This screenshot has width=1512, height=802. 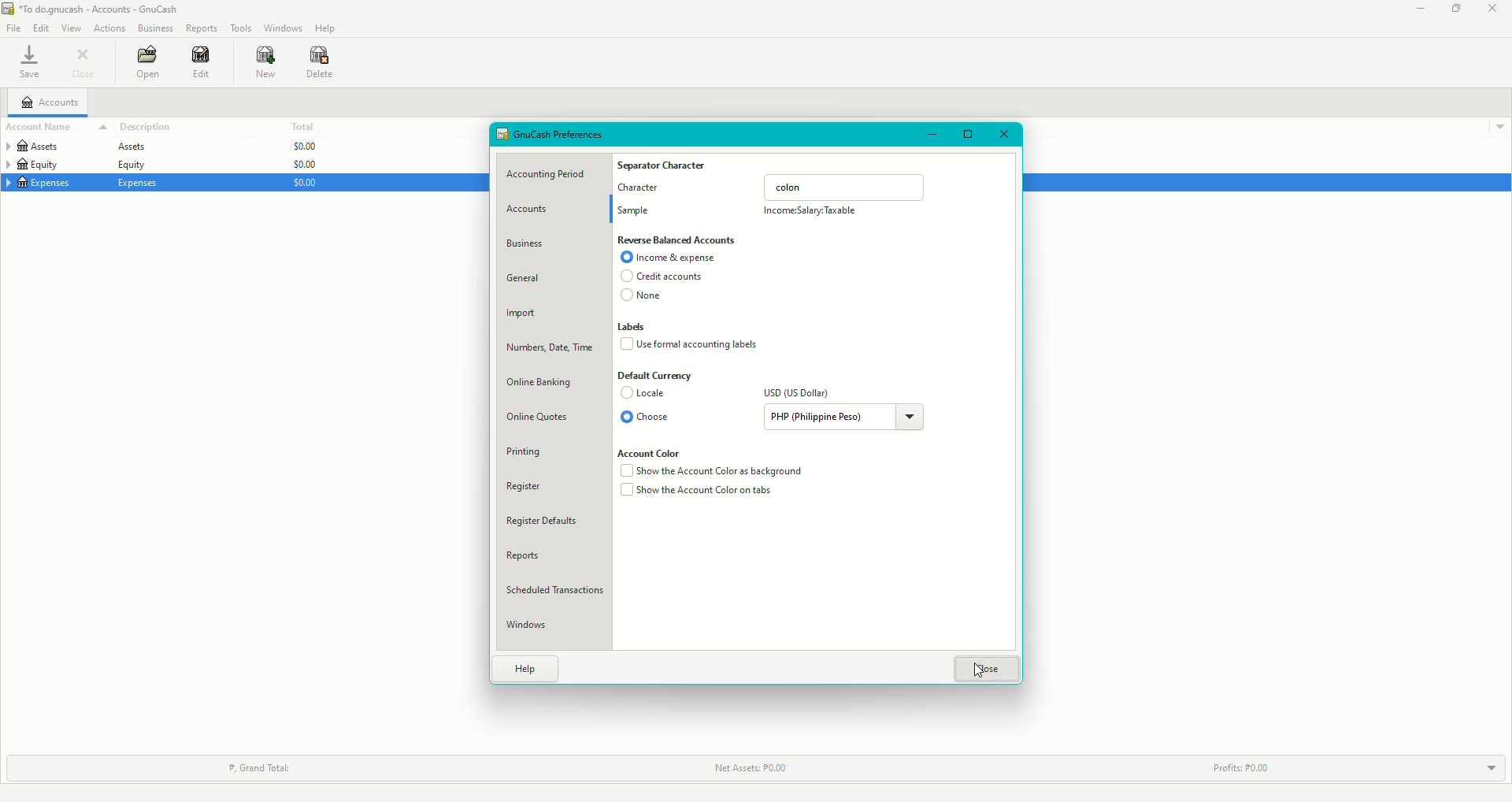 What do you see at coordinates (664, 166) in the screenshot?
I see `Separator Character` at bounding box center [664, 166].